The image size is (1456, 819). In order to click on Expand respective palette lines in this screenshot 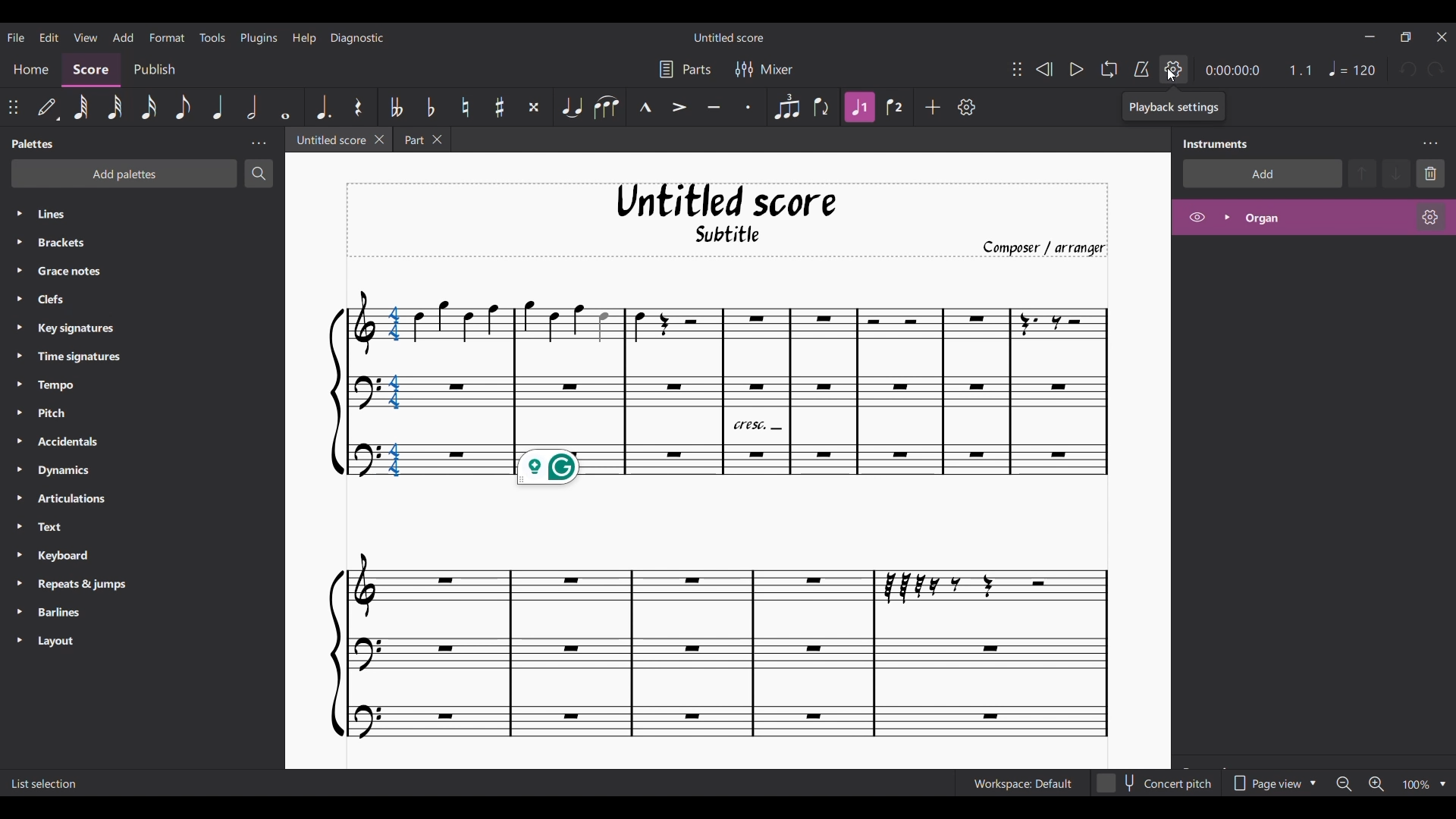, I will do `click(18, 427)`.